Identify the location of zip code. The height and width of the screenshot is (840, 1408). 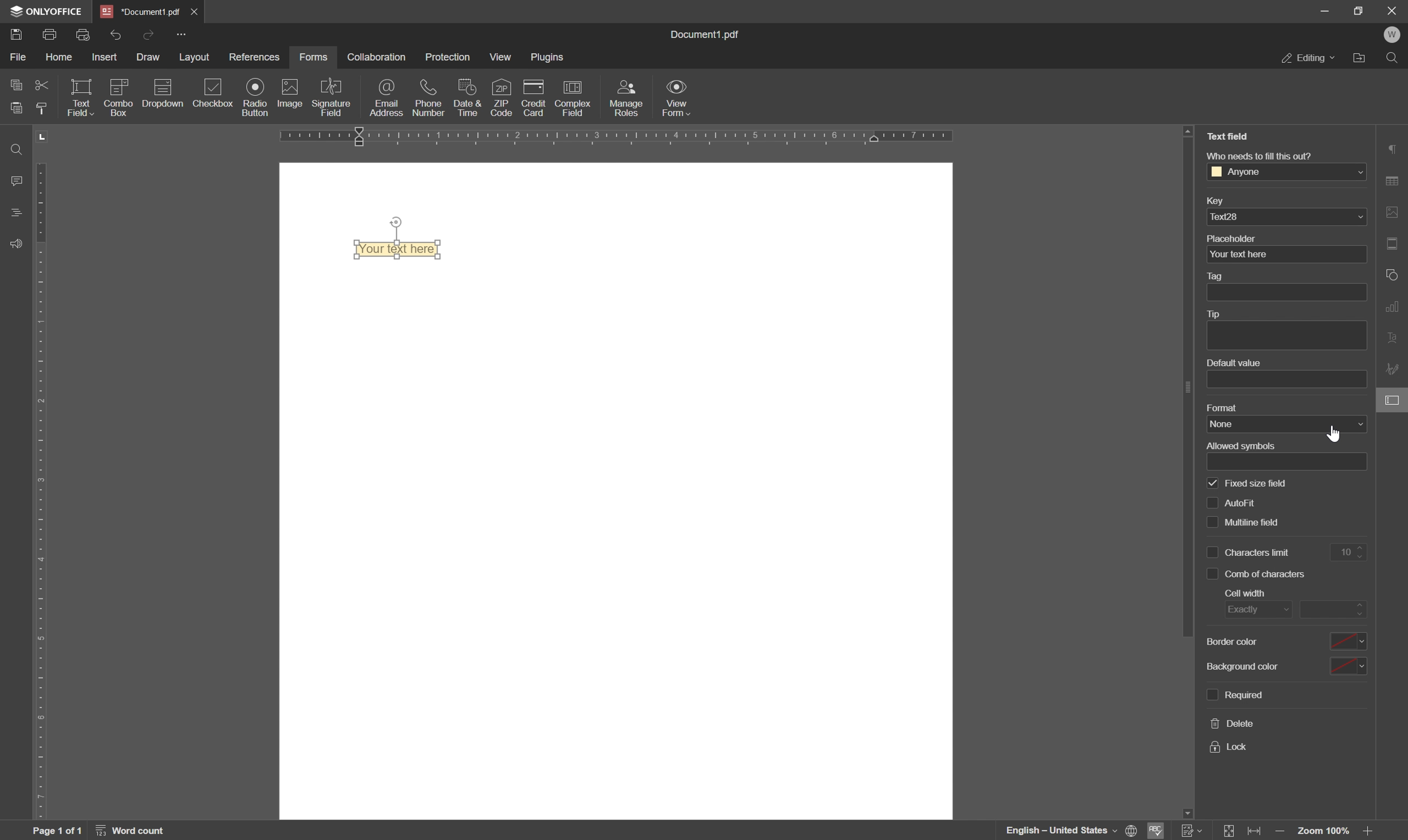
(502, 98).